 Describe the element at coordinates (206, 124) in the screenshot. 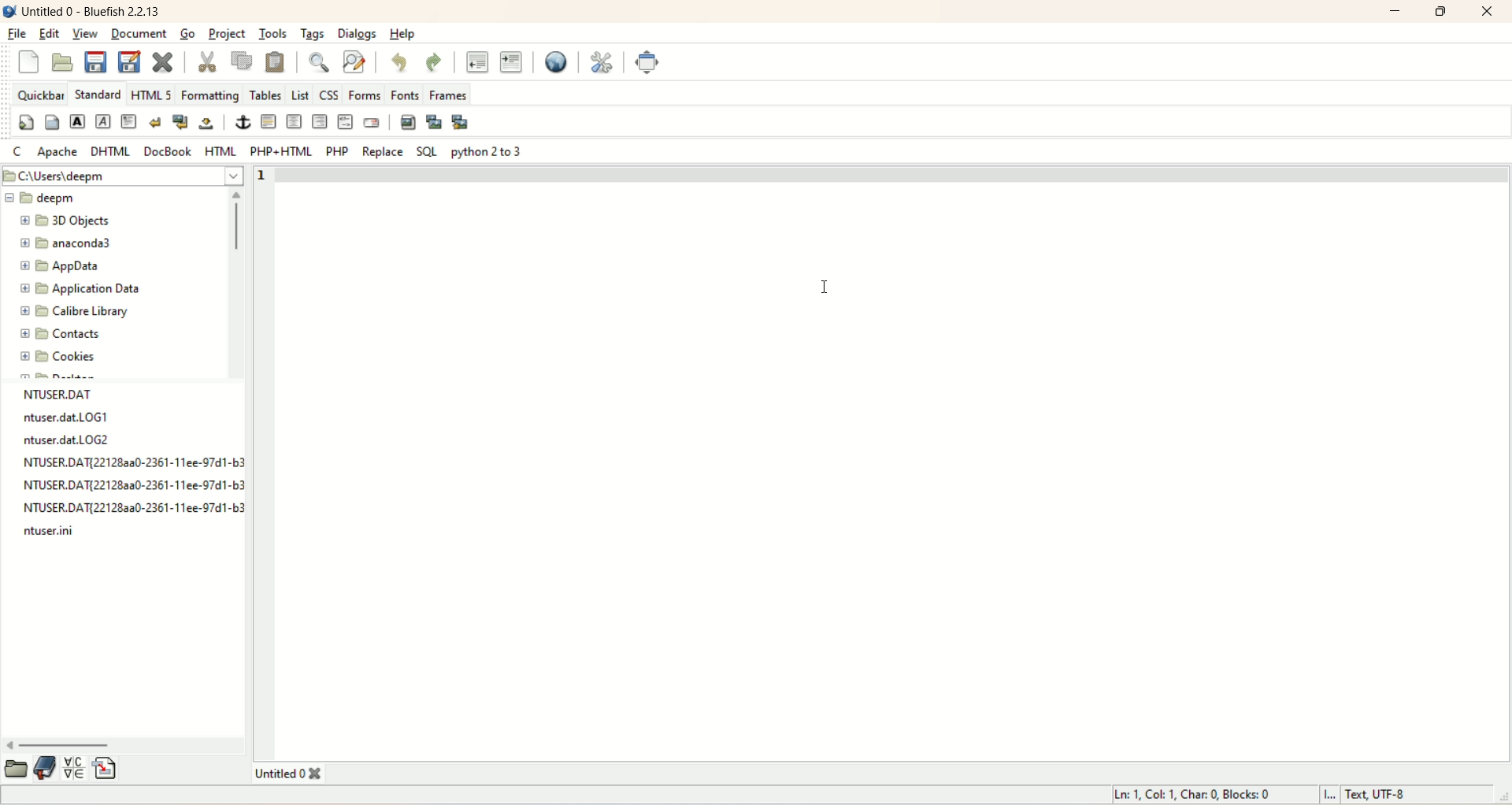

I see `non-breaking space` at that location.